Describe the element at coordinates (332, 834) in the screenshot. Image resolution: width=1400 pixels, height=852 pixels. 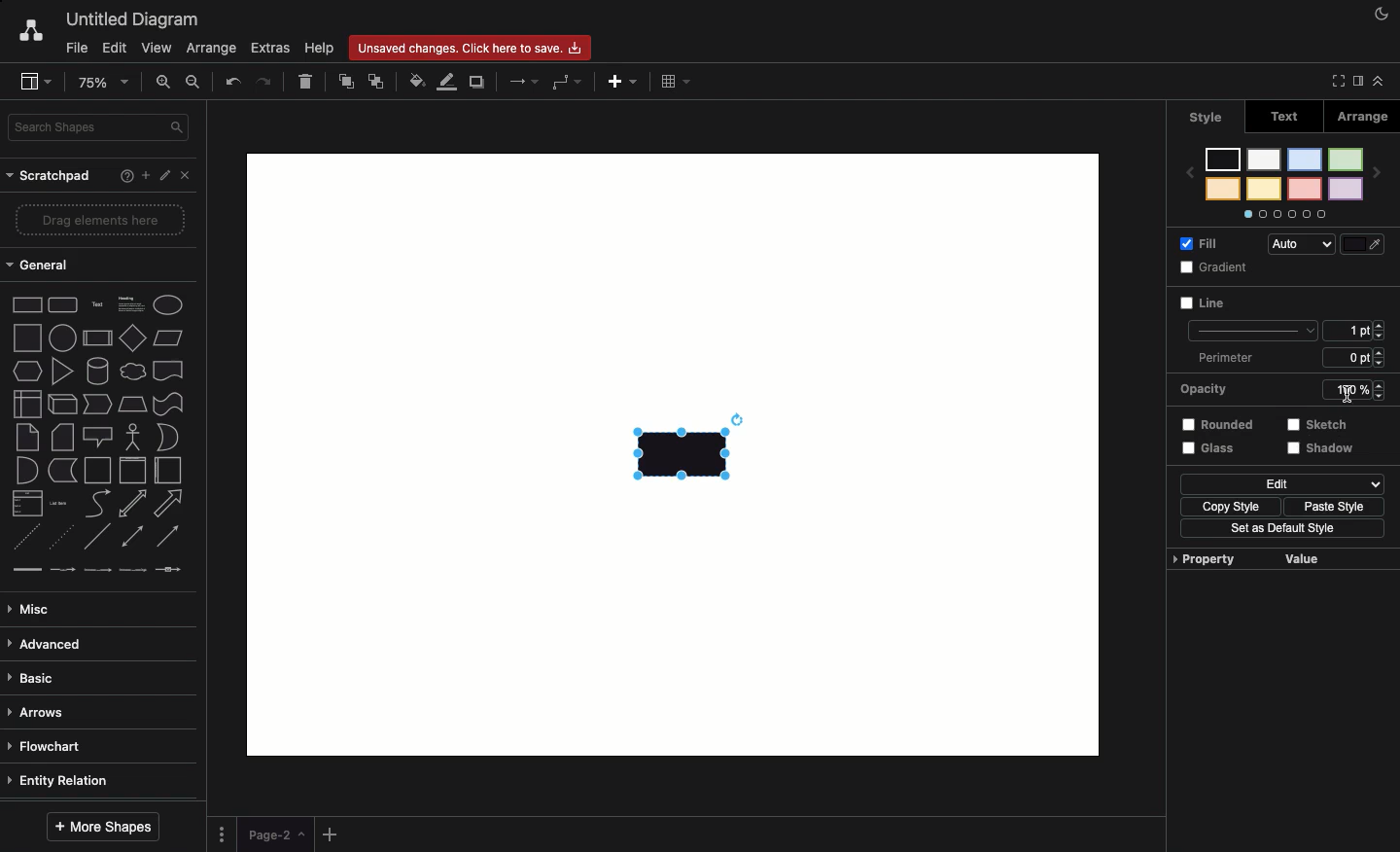
I see `Add` at that location.